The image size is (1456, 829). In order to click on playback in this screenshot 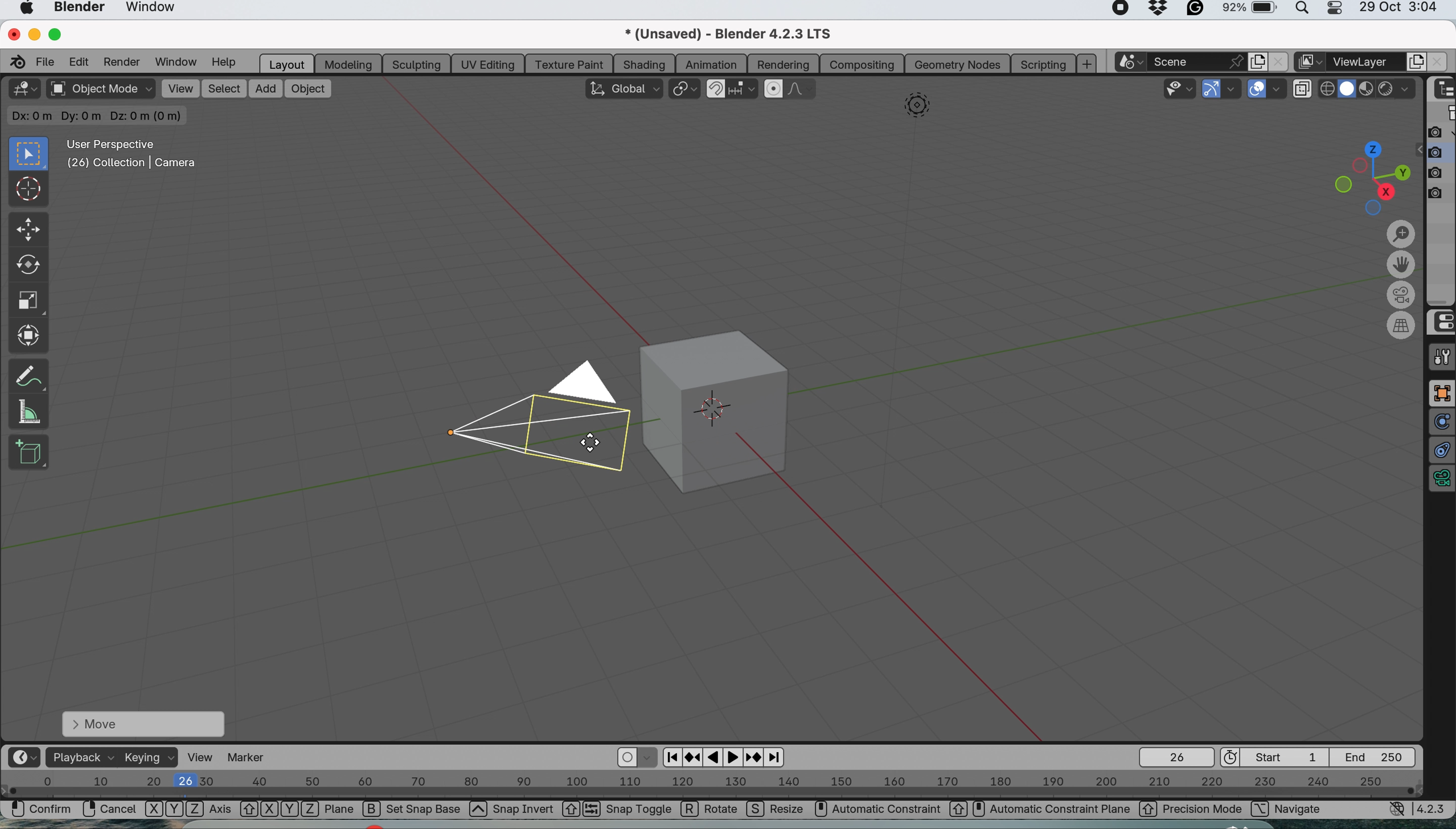, I will do `click(80, 757)`.